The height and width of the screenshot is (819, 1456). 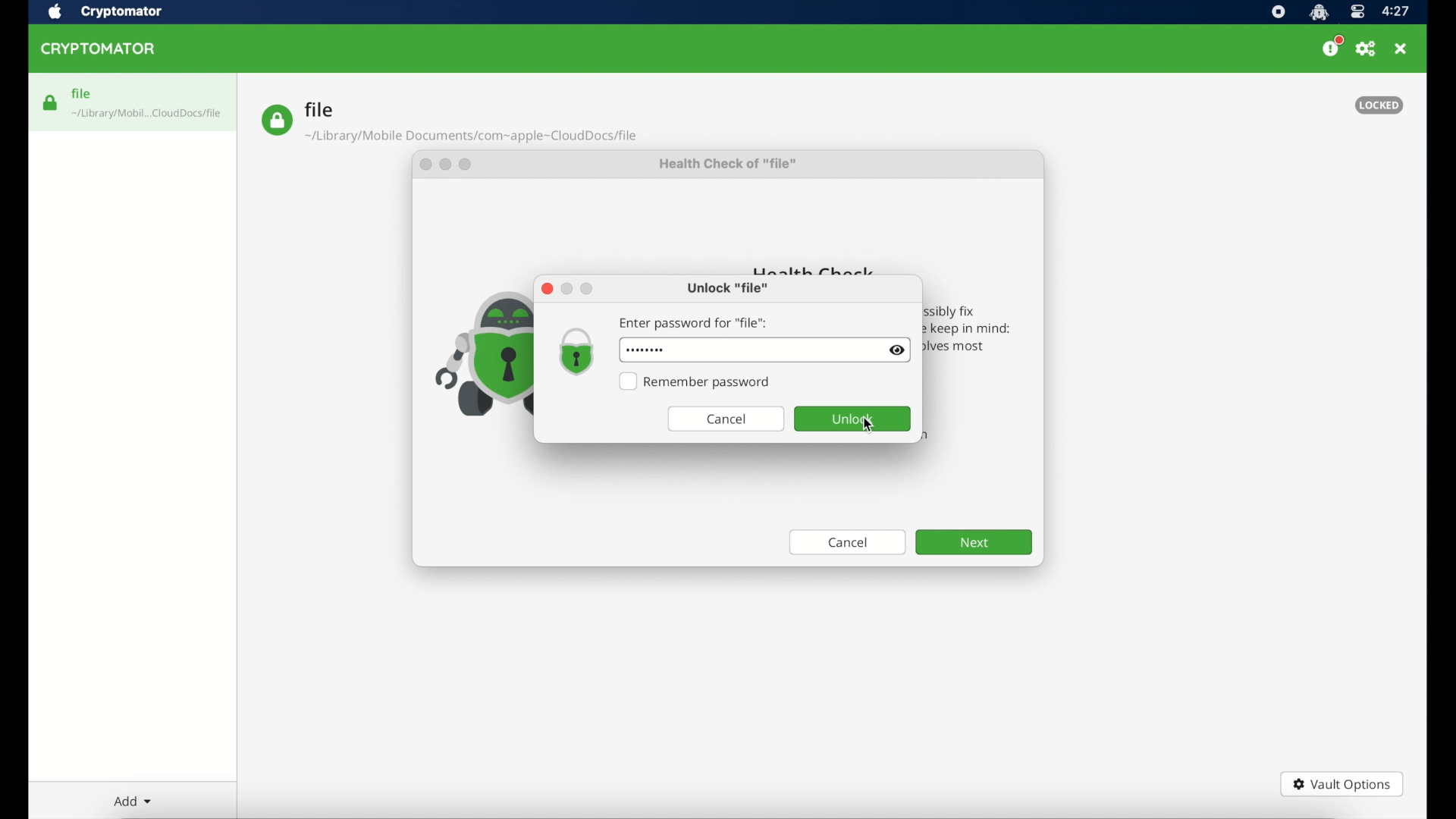 What do you see at coordinates (726, 419) in the screenshot?
I see `cancel` at bounding box center [726, 419].